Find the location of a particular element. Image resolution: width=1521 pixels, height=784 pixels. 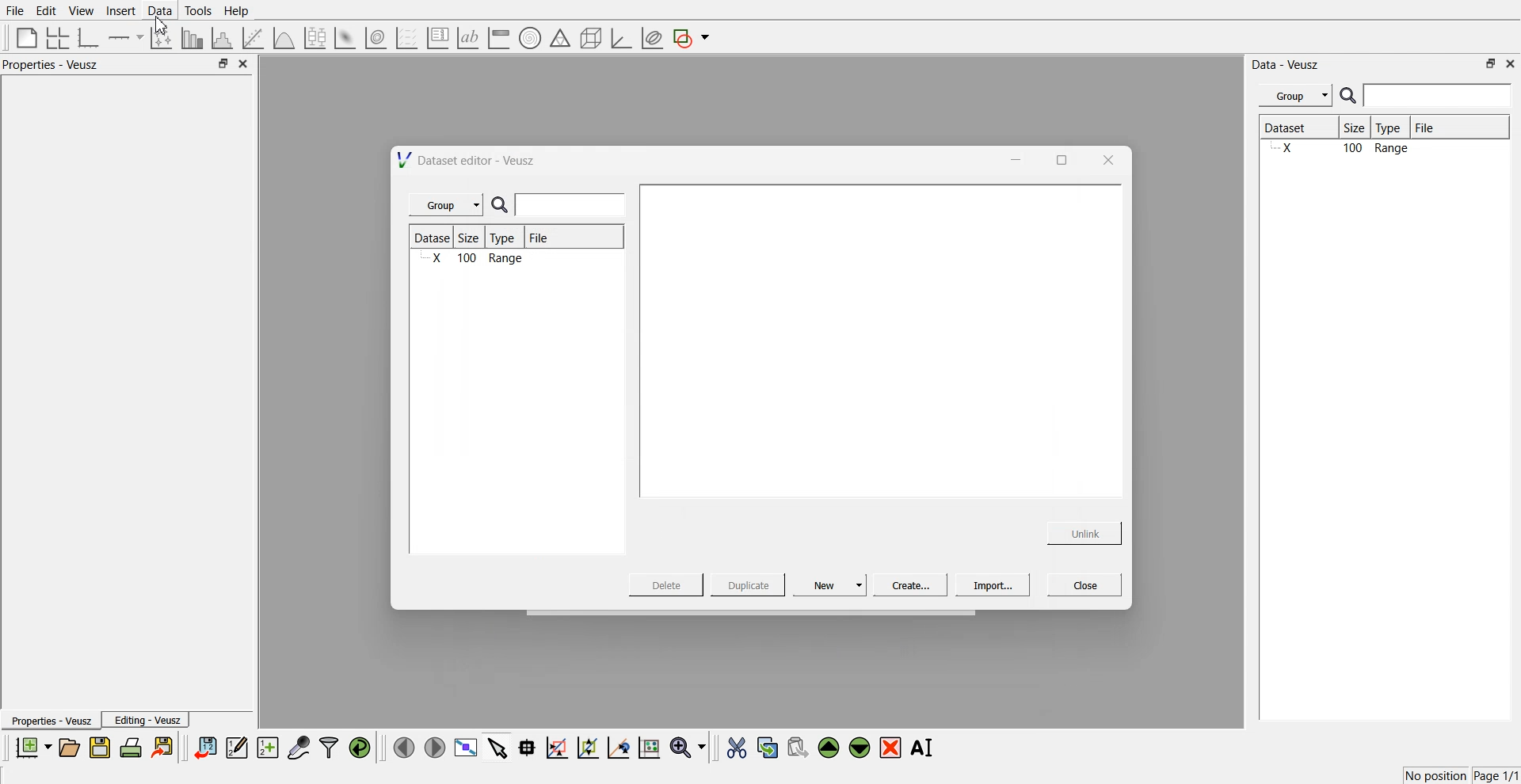

plot key is located at coordinates (437, 38).